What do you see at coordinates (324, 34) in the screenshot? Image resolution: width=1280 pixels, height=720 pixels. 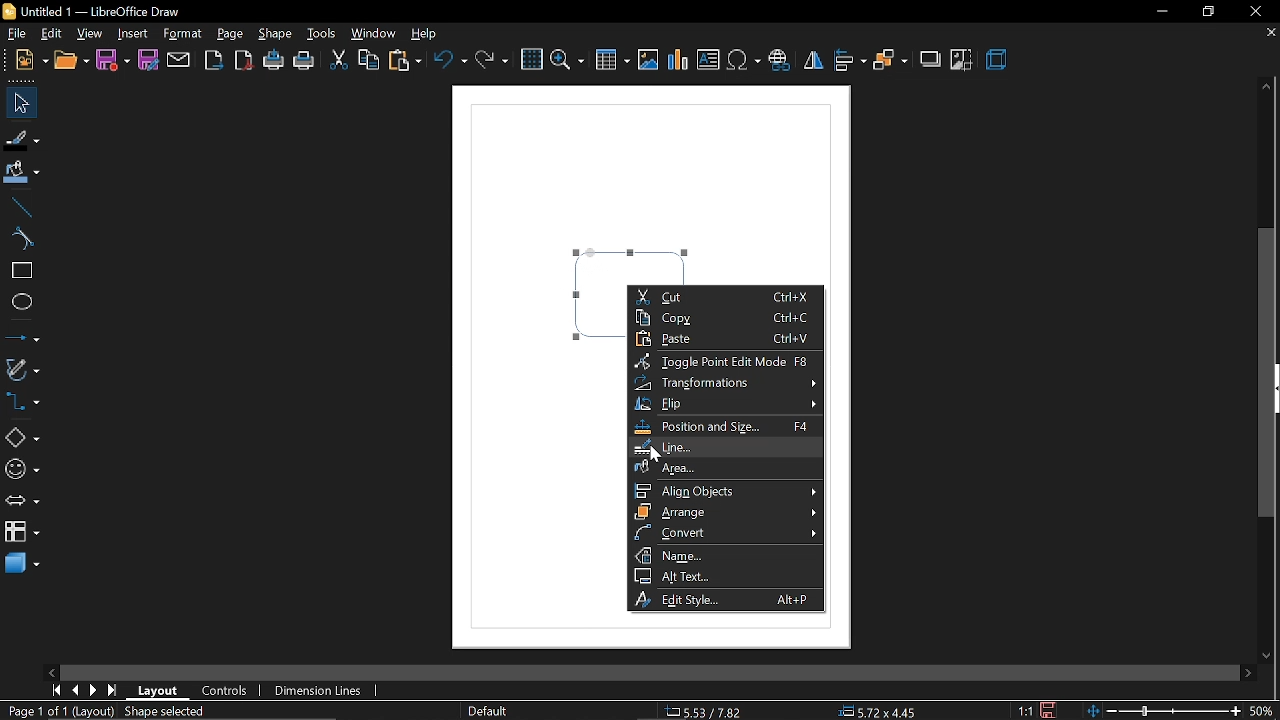 I see `tools` at bounding box center [324, 34].